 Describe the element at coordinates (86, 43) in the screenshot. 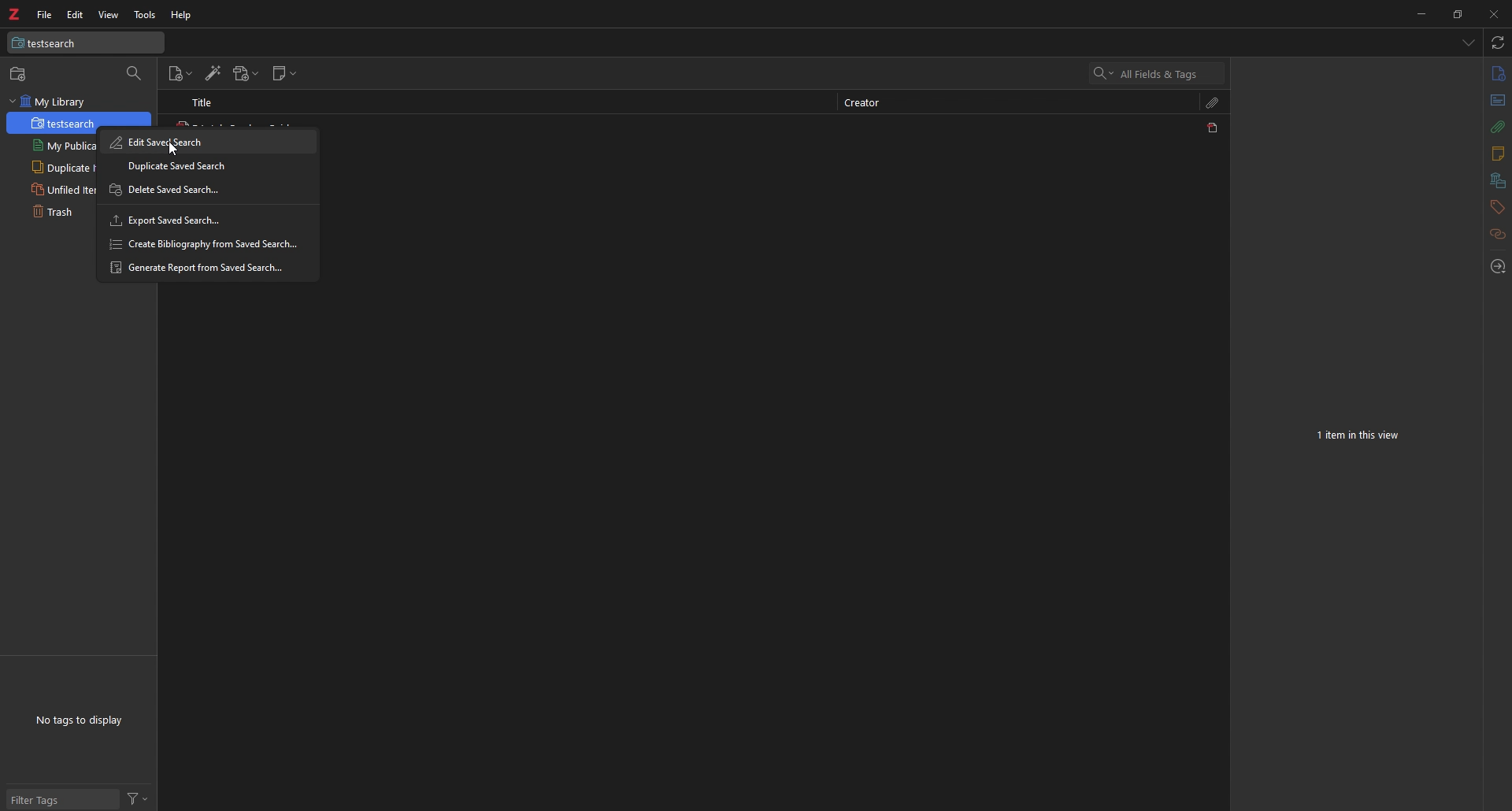

I see `test search` at that location.